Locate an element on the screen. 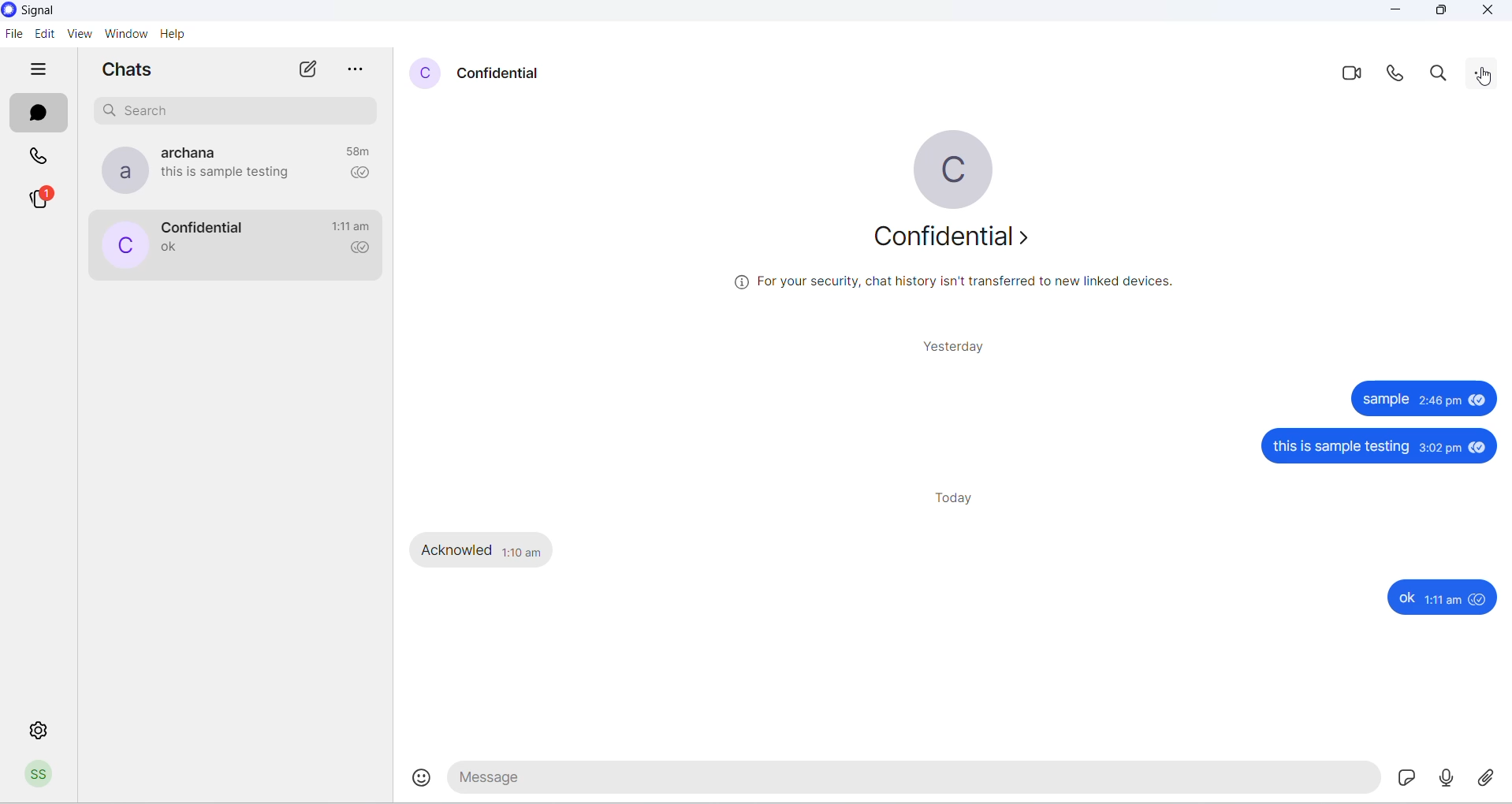 The height and width of the screenshot is (804, 1512). close is located at coordinates (1486, 13).